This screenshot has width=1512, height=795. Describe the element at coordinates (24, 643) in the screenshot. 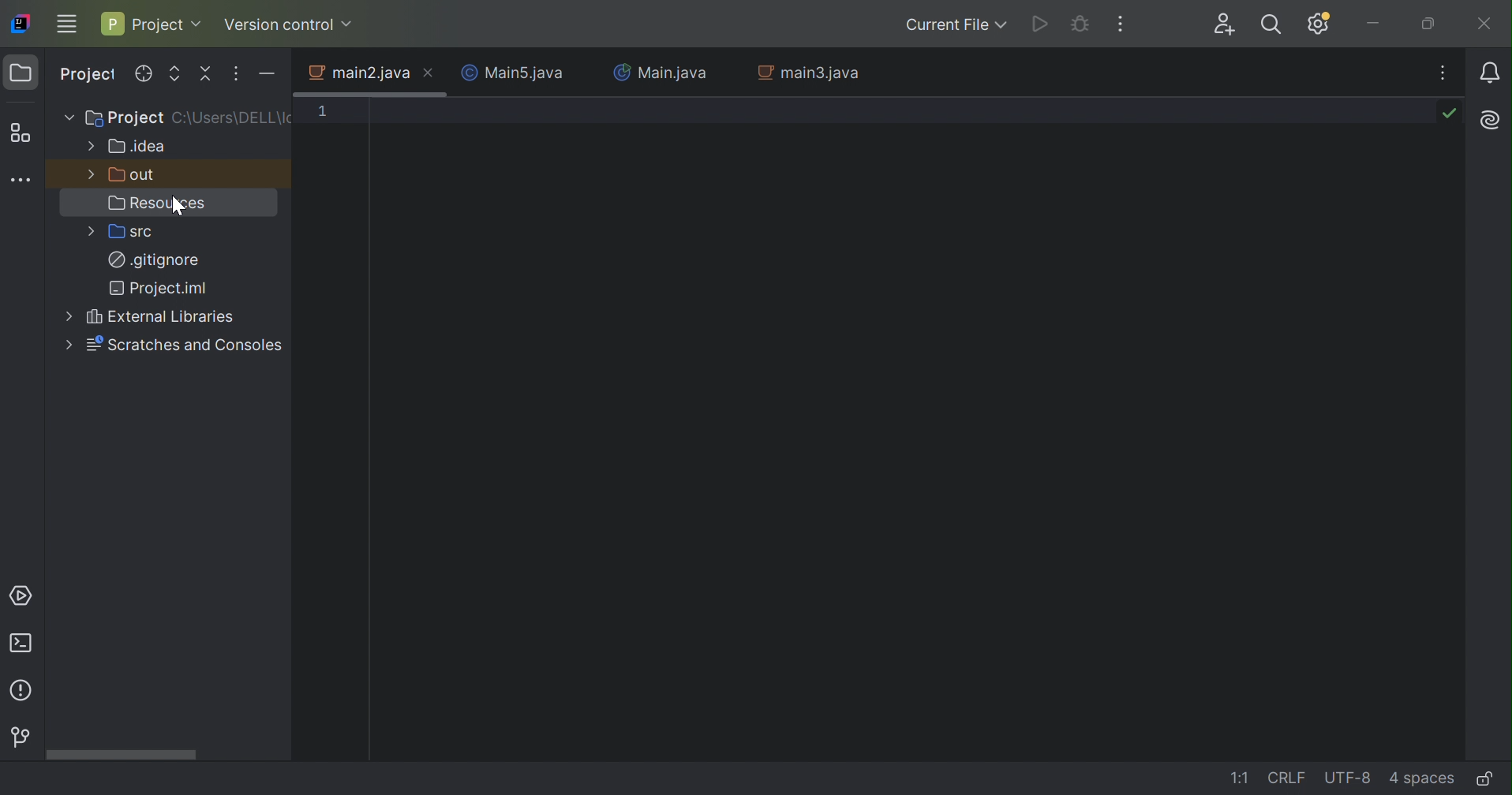

I see `Terminal` at that location.